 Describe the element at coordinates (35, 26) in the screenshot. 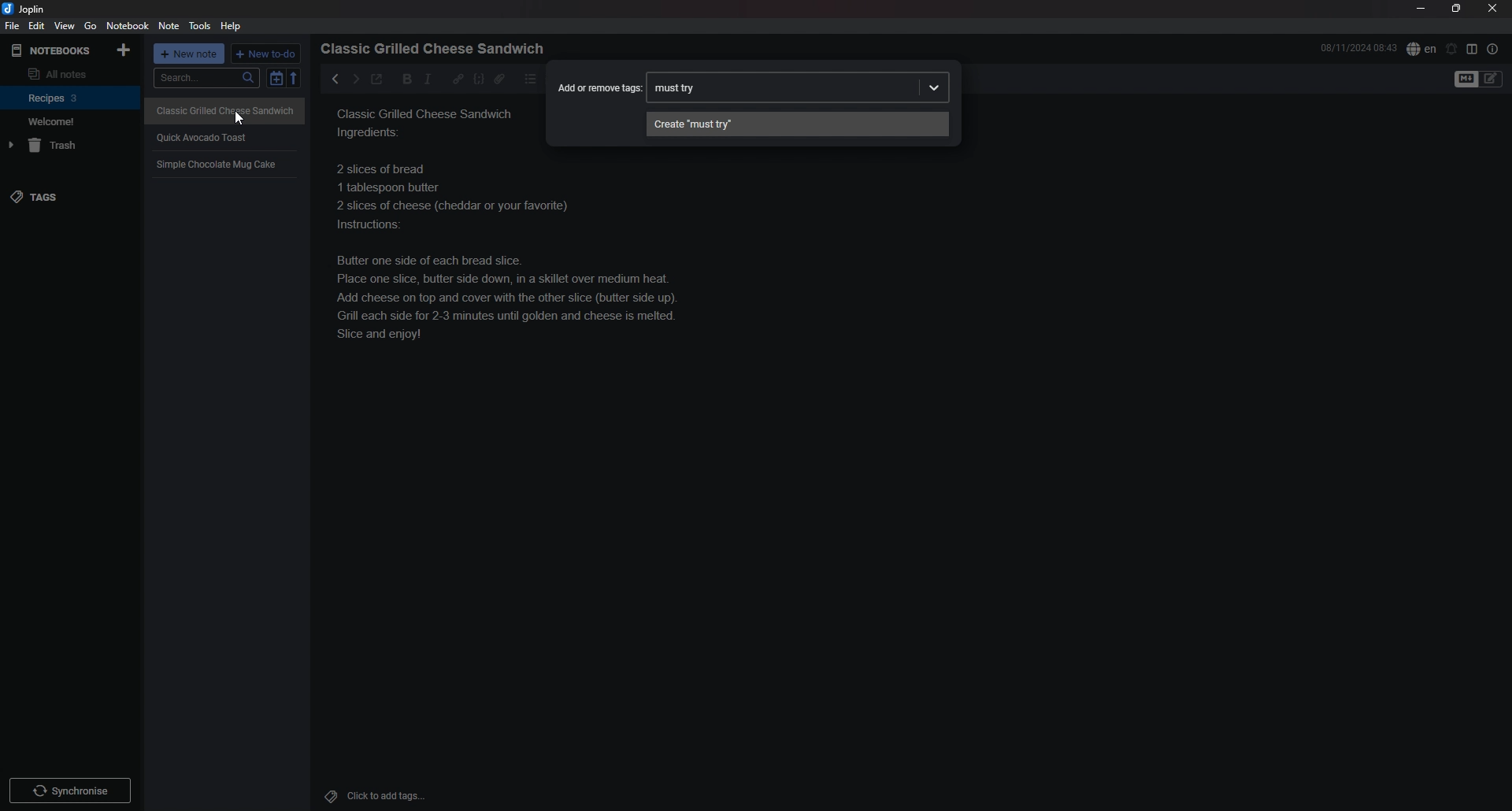

I see `edit` at that location.